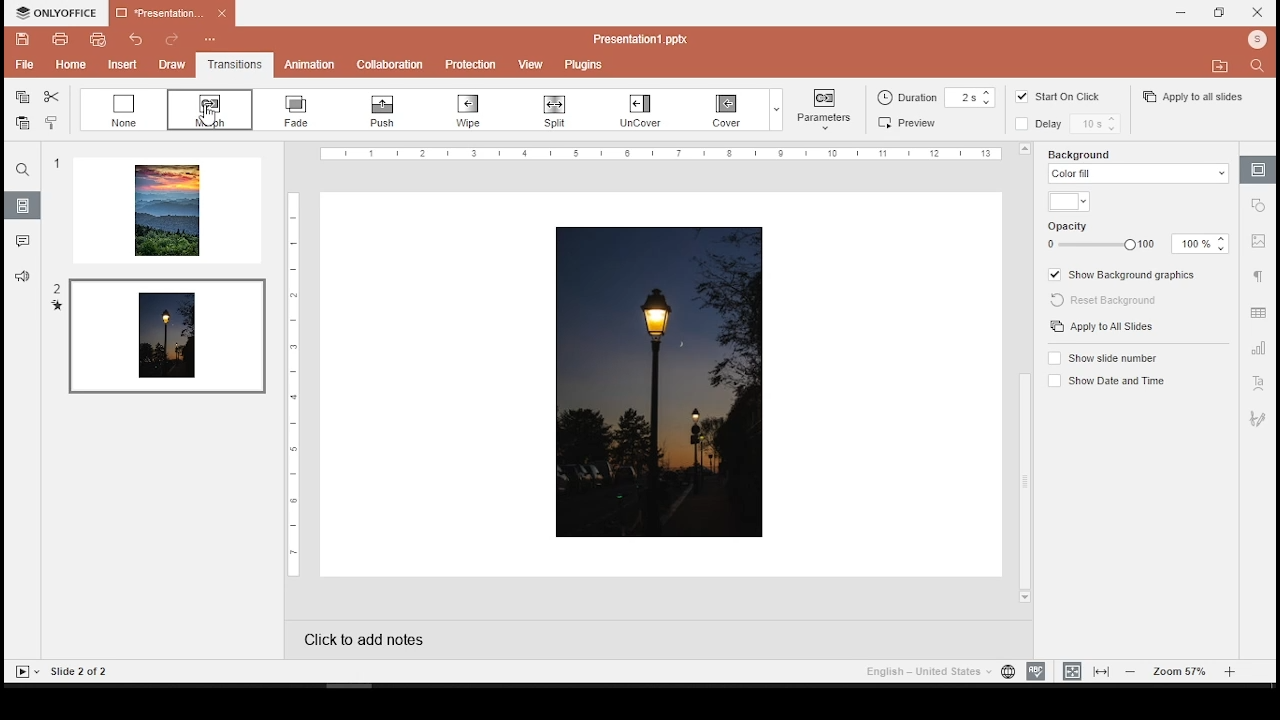  Describe the element at coordinates (132, 40) in the screenshot. I see `undo` at that location.